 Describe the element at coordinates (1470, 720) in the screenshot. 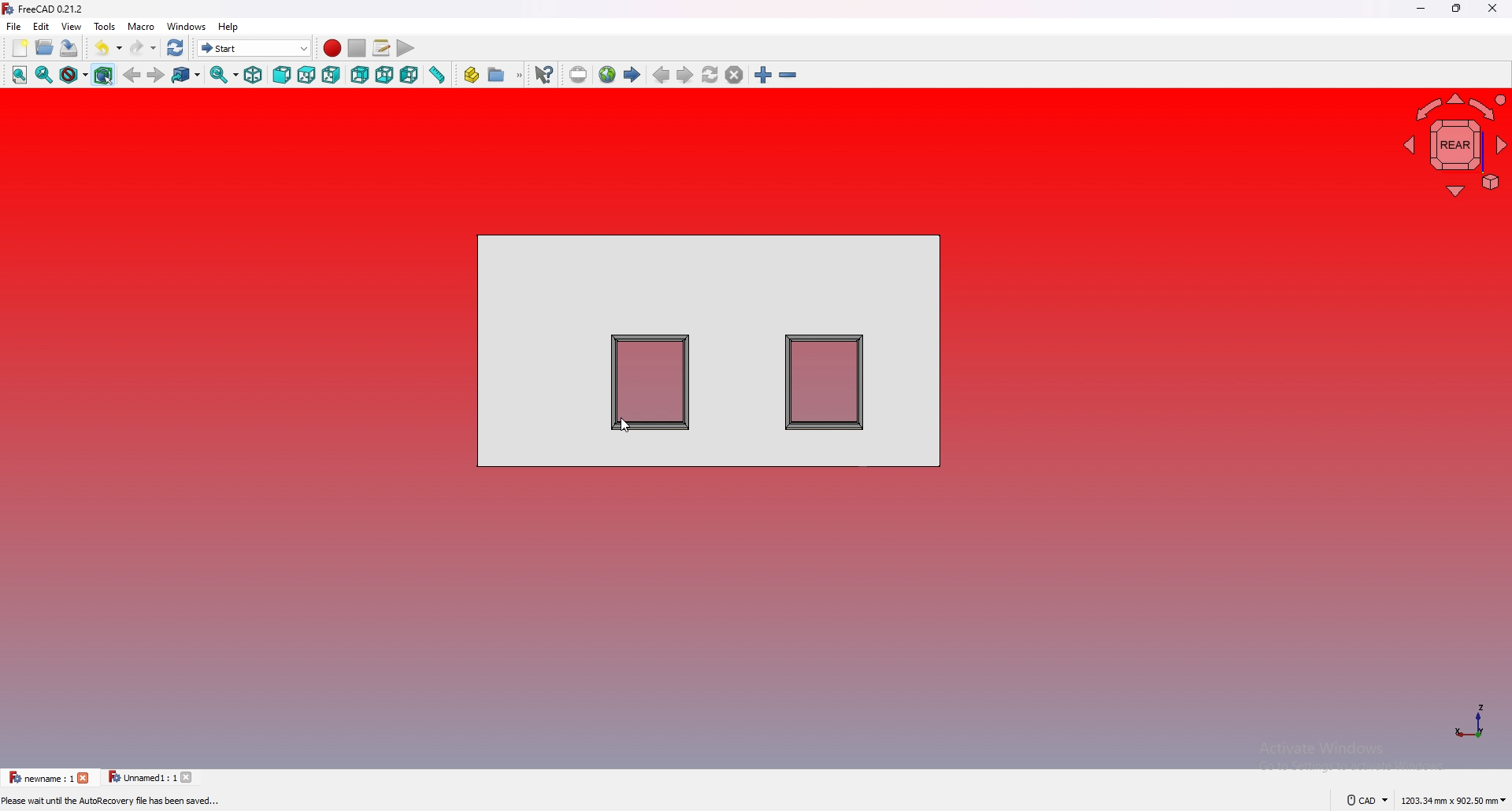

I see `axis` at that location.